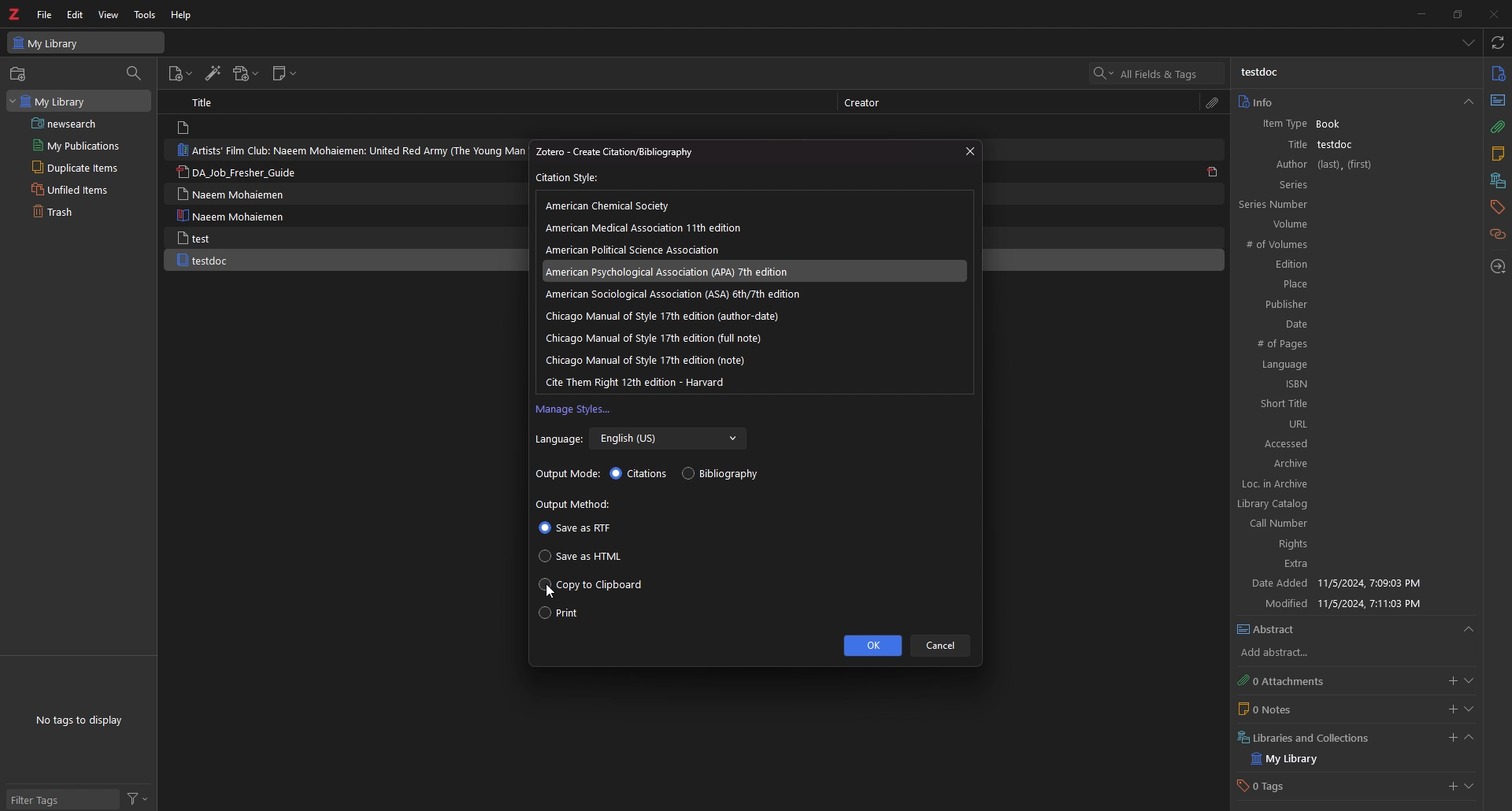 The image size is (1512, 811). What do you see at coordinates (1288, 654) in the screenshot?
I see `add abstract` at bounding box center [1288, 654].